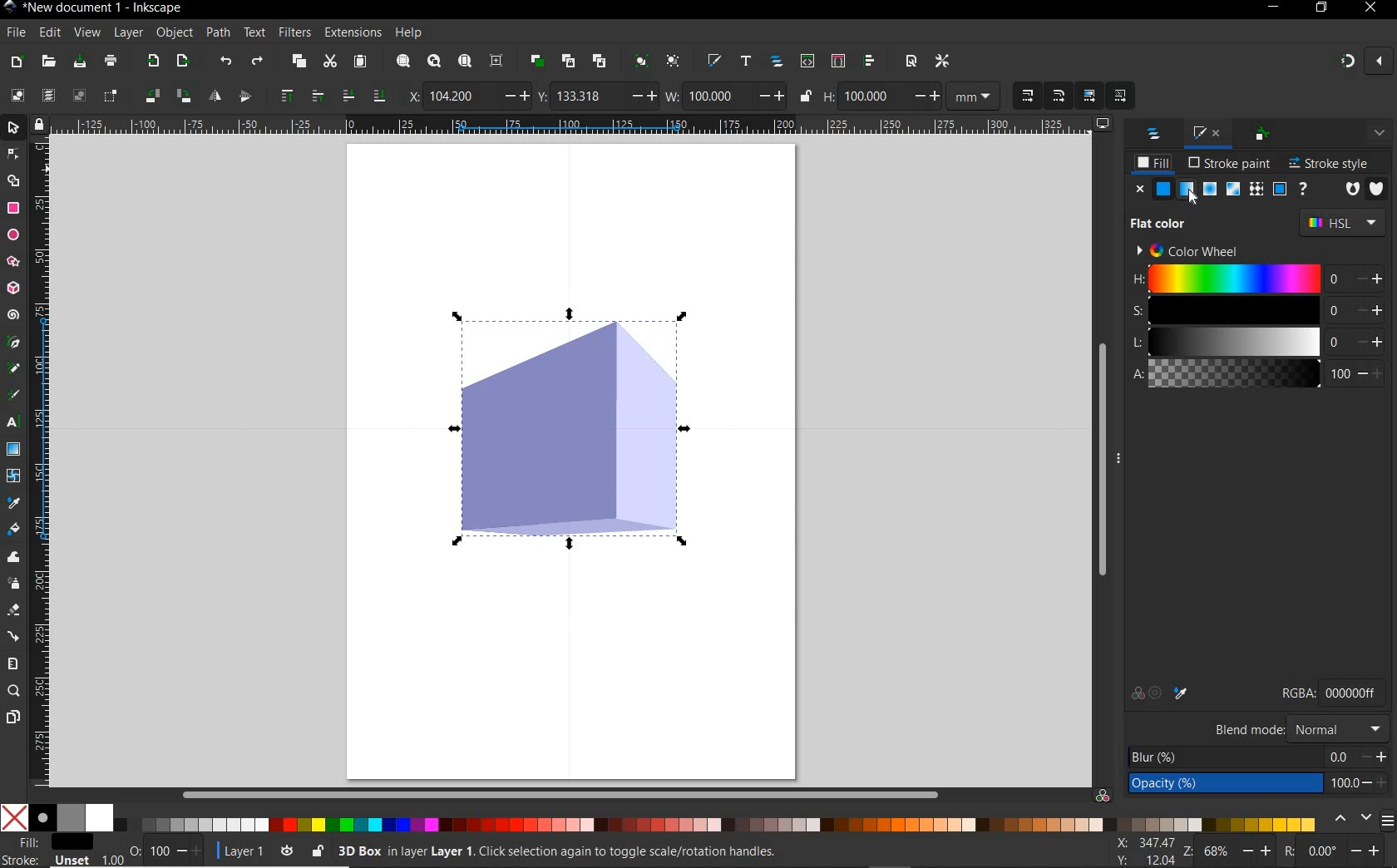 The image size is (1397, 868). I want to click on 68, so click(1217, 851).